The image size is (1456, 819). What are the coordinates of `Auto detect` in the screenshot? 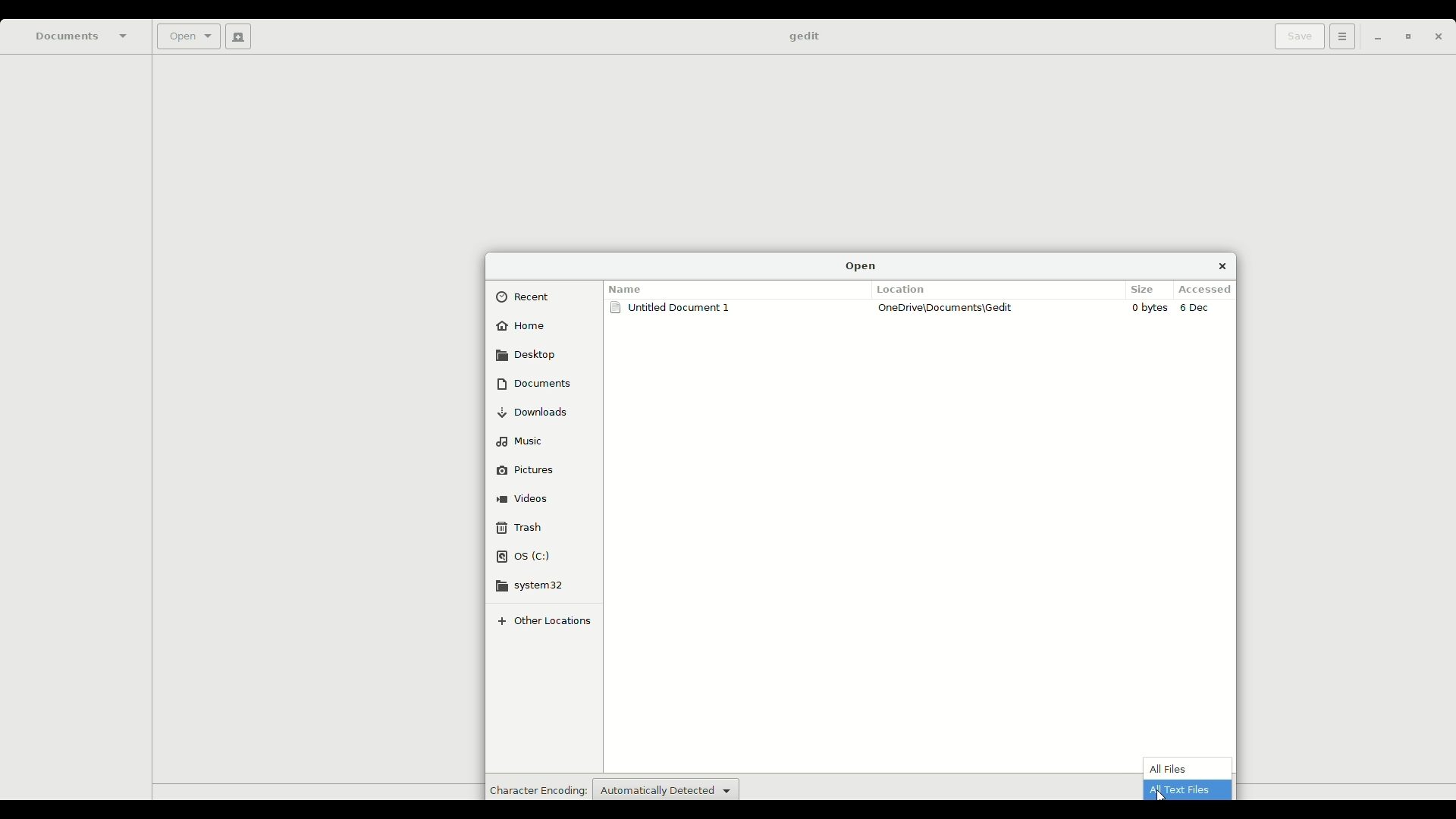 It's located at (666, 788).